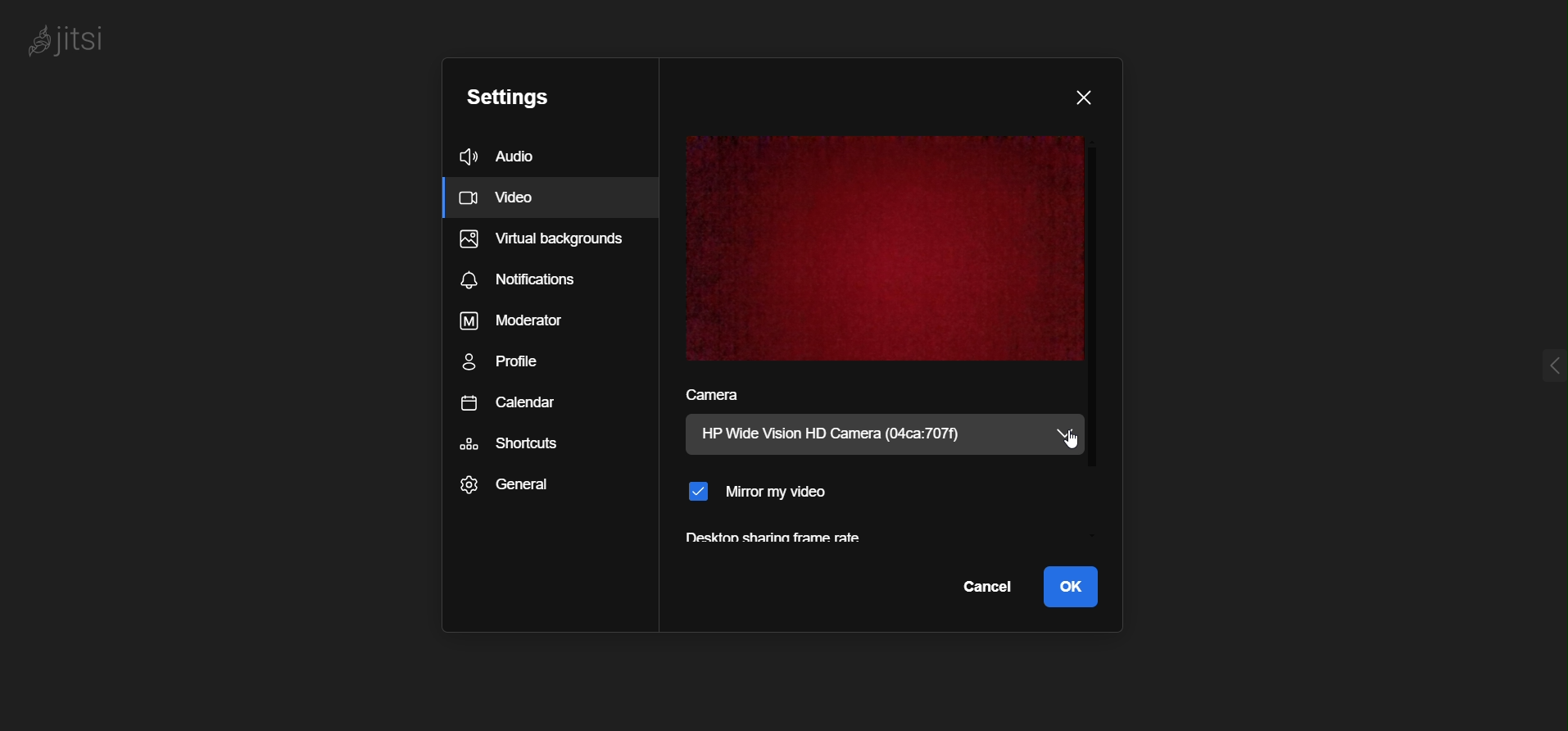  What do you see at coordinates (1072, 434) in the screenshot?
I see `camera dropdown` at bounding box center [1072, 434].